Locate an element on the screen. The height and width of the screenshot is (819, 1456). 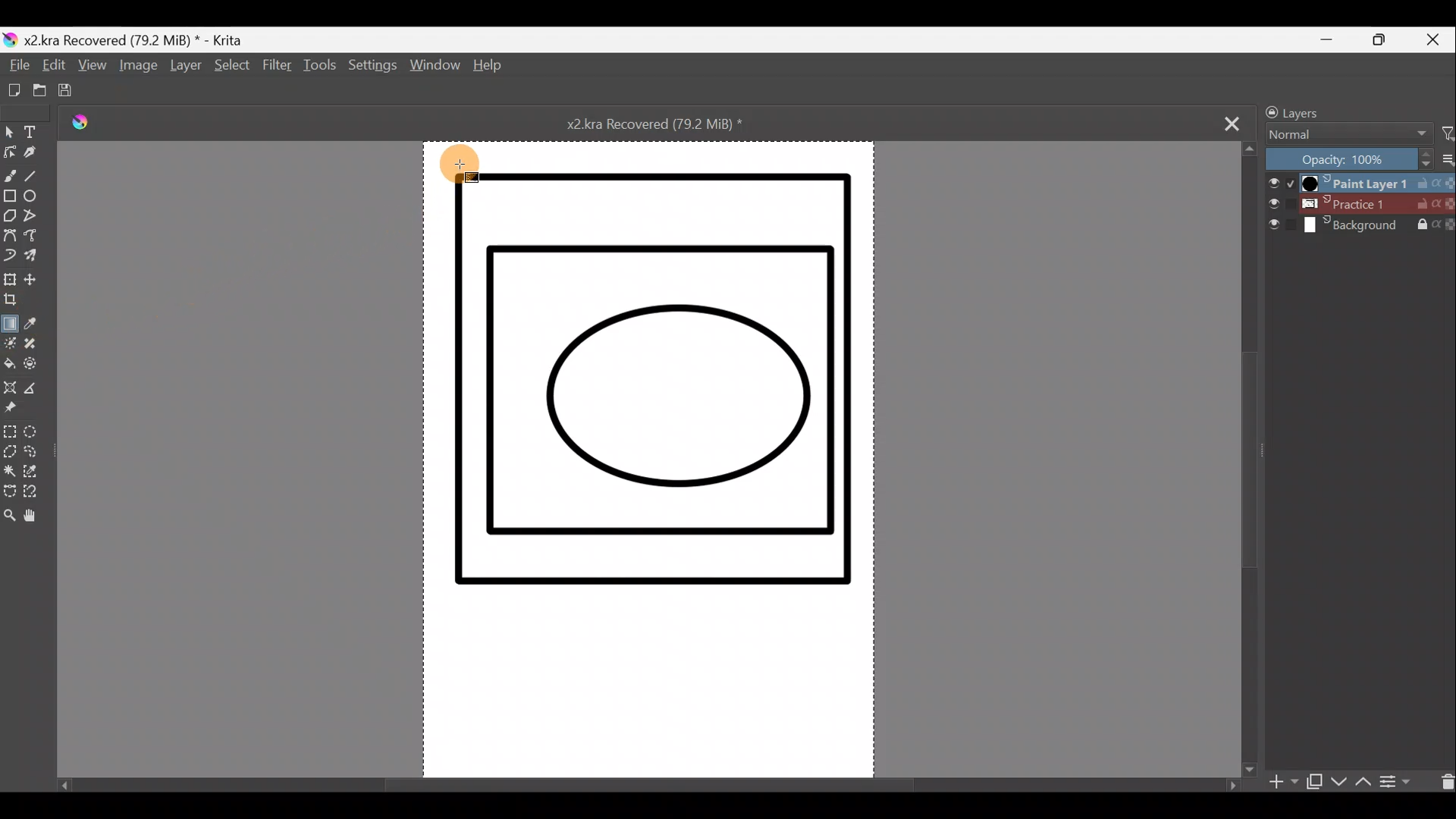
Create new document is located at coordinates (10, 90).